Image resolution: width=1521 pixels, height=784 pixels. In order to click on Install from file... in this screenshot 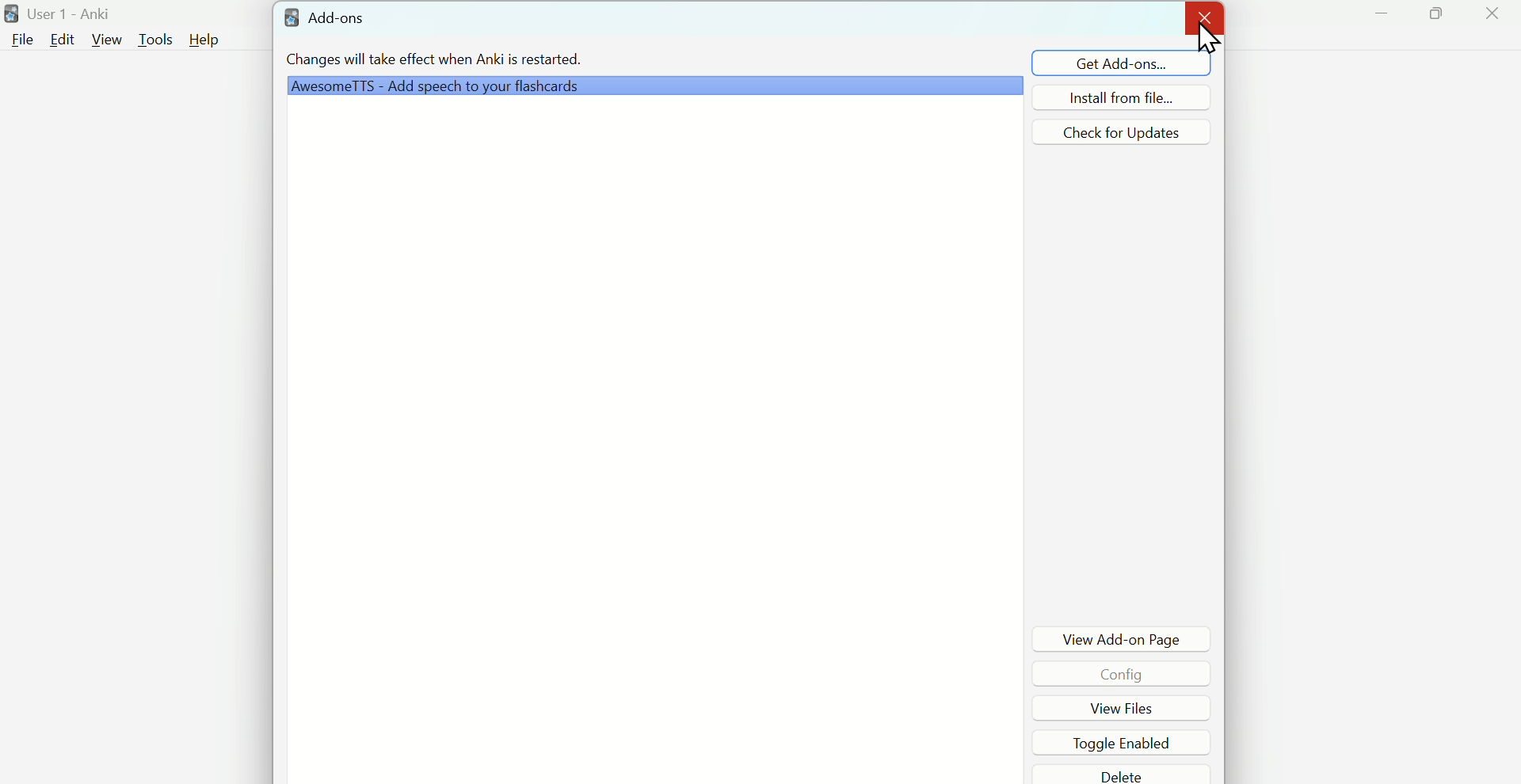, I will do `click(1135, 97)`.